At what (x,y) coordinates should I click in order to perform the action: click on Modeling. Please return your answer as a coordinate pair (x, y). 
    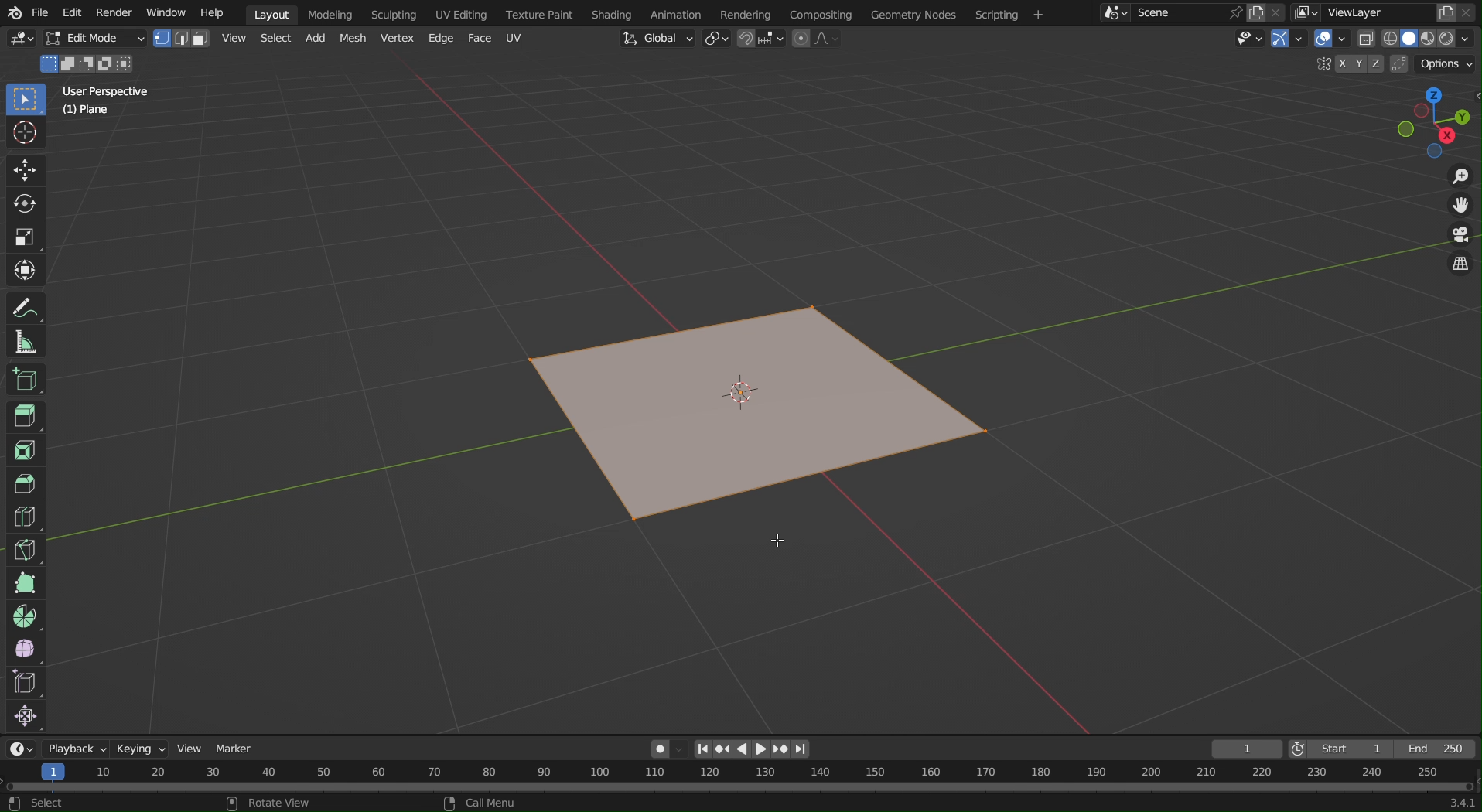
    Looking at the image, I should click on (330, 13).